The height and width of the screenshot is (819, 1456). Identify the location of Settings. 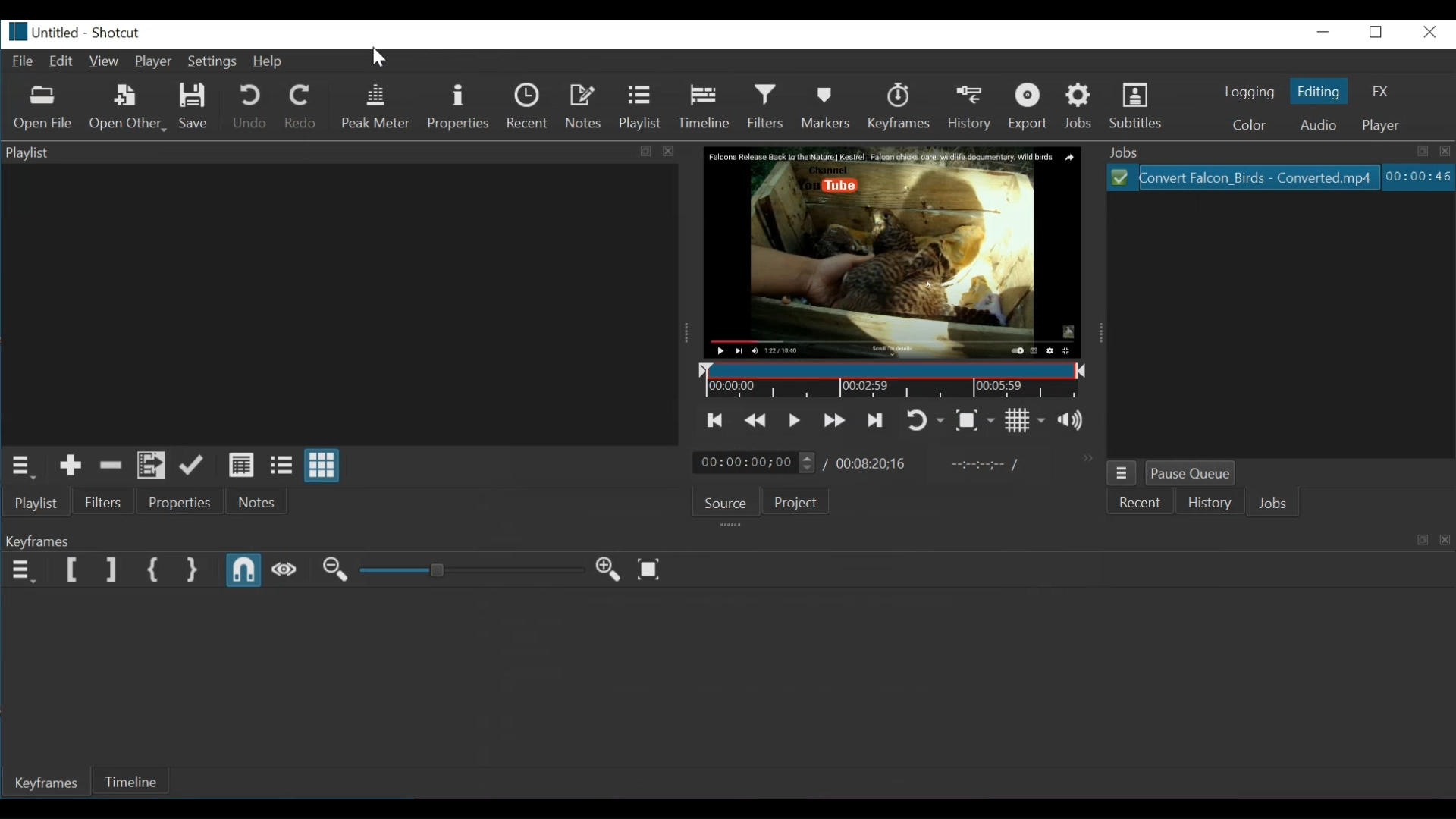
(212, 64).